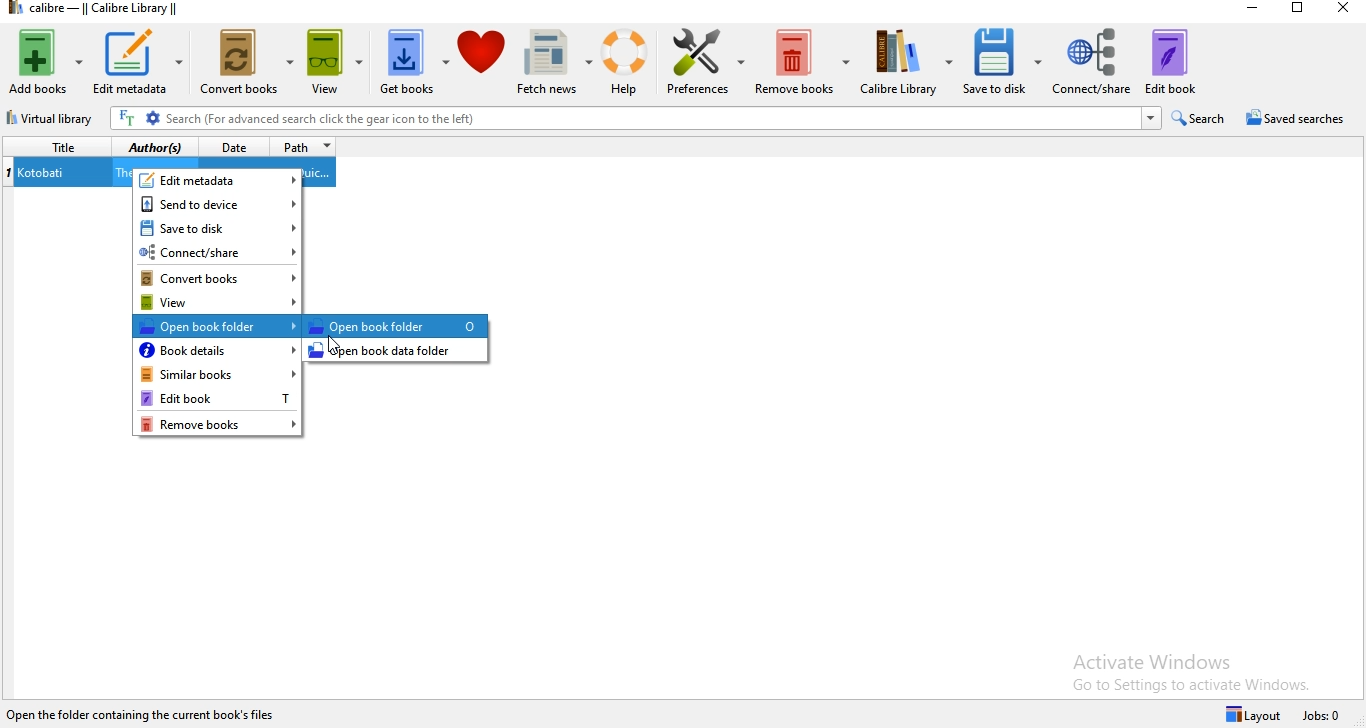  Describe the element at coordinates (400, 353) in the screenshot. I see `open book data folder` at that location.